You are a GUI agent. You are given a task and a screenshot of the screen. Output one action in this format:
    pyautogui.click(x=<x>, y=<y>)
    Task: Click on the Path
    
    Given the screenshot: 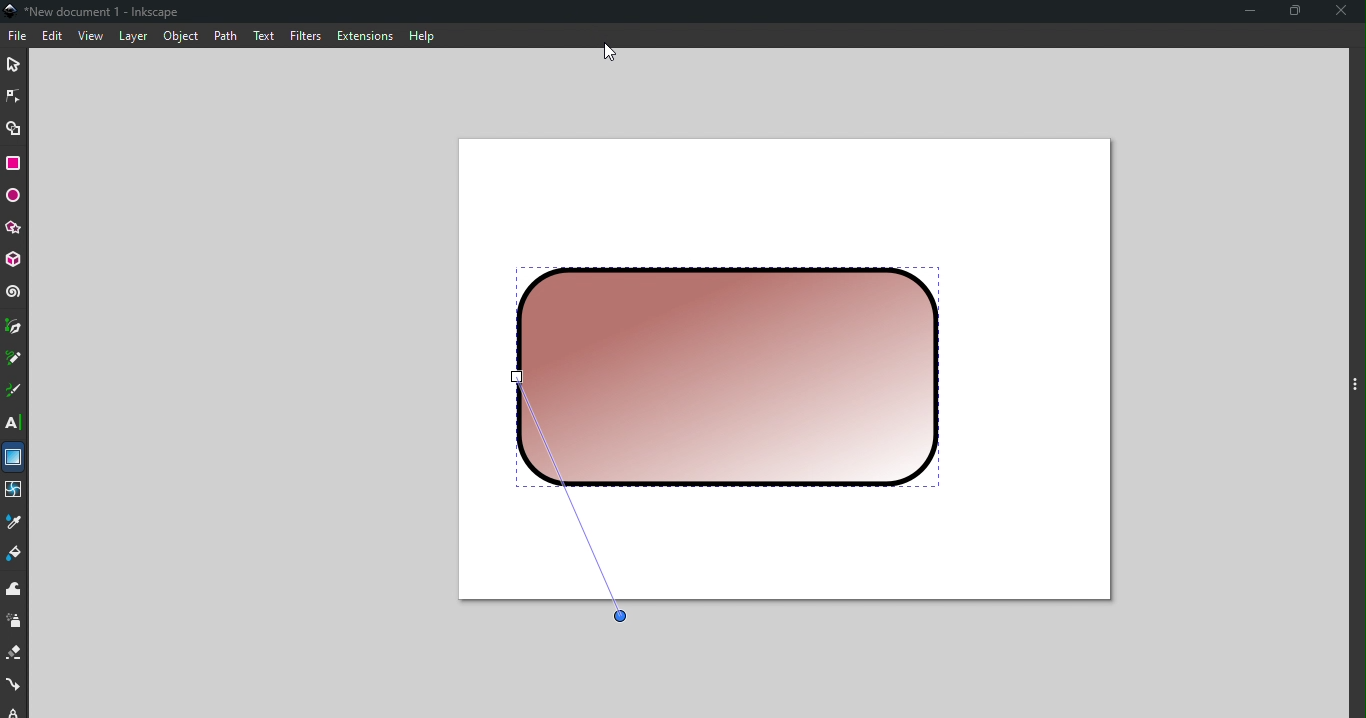 What is the action you would take?
    pyautogui.click(x=221, y=35)
    